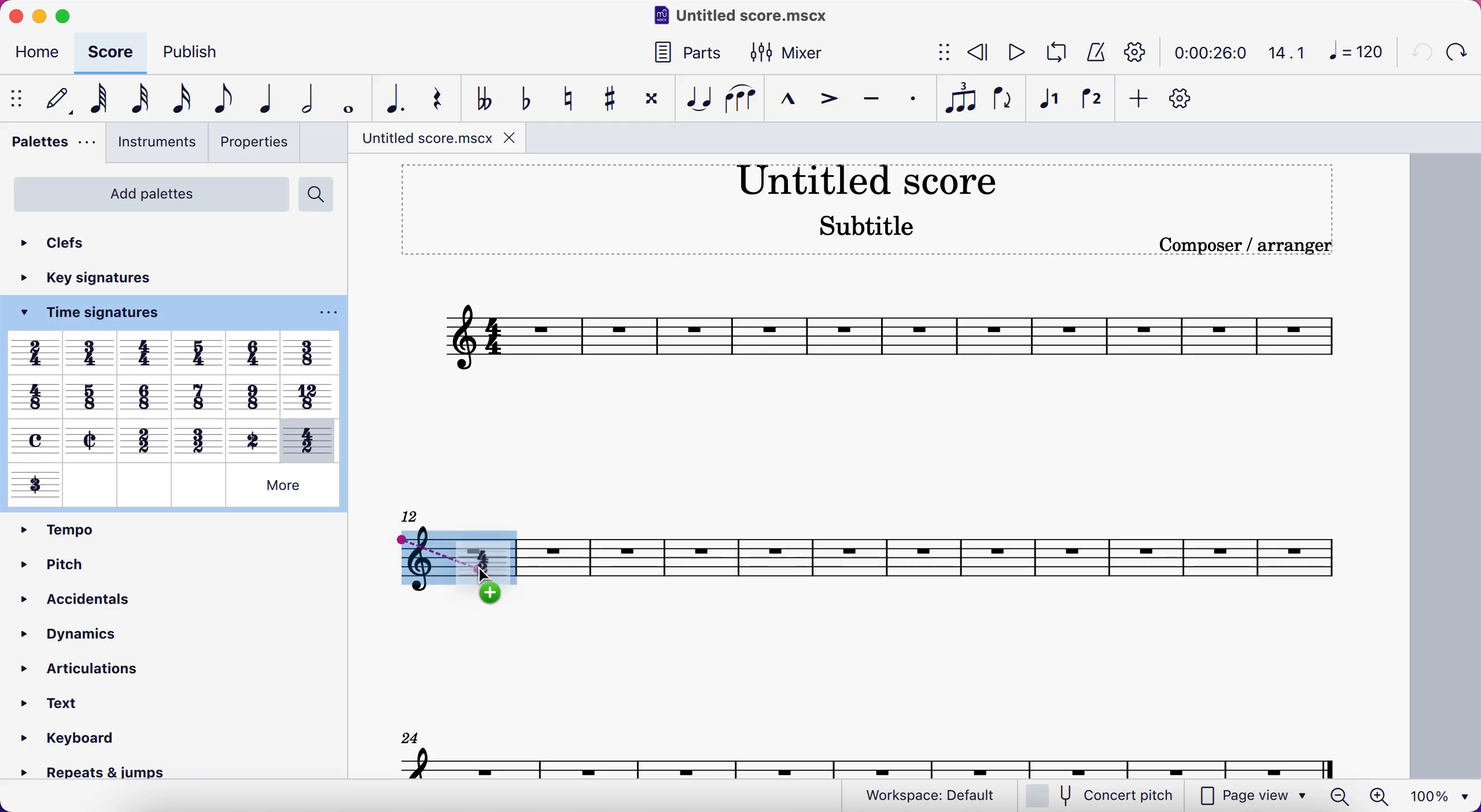 This screenshot has width=1481, height=812. I want to click on instruments, so click(156, 145).